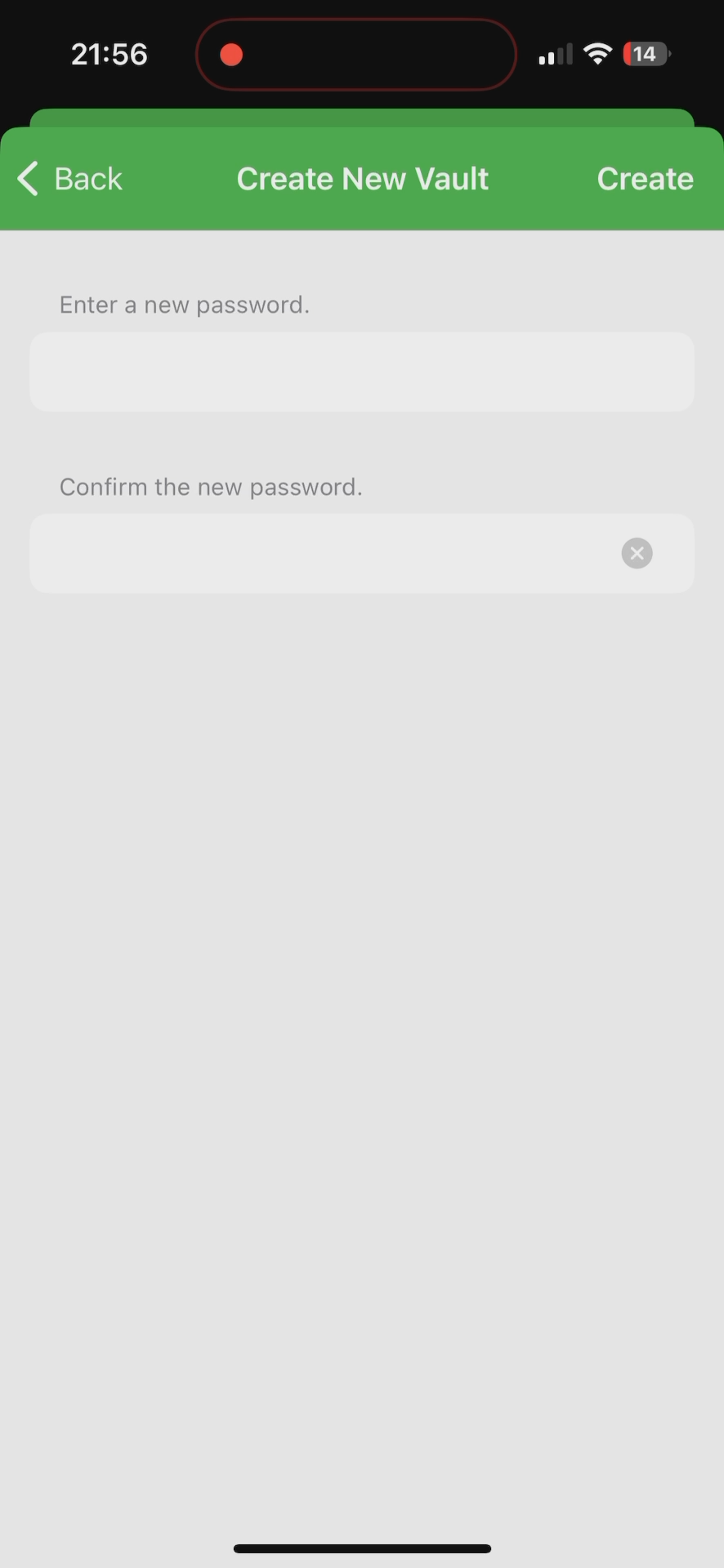 This screenshot has height=1568, width=724. Describe the element at coordinates (324, 563) in the screenshot. I see `new password` at that location.